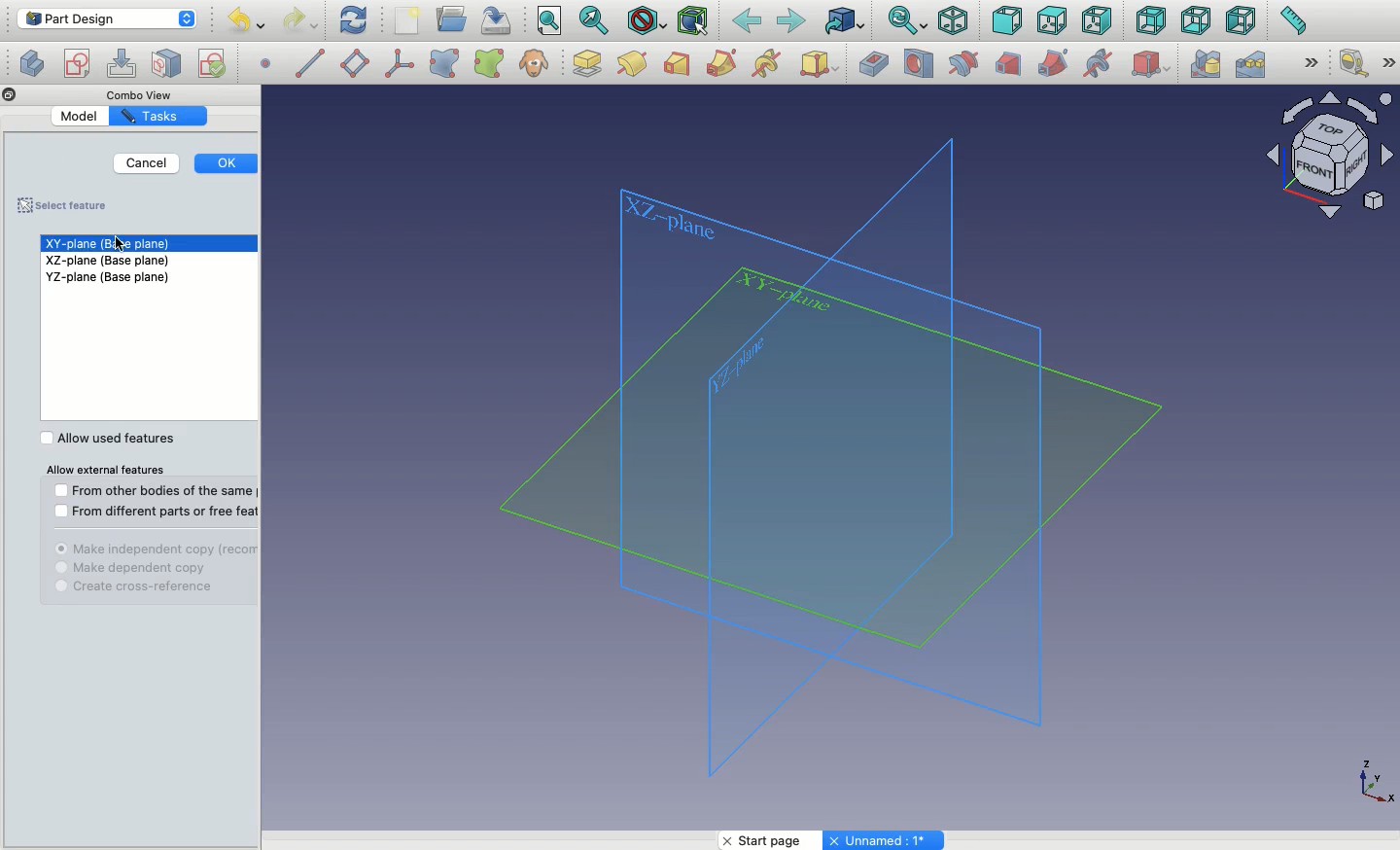 This screenshot has height=850, width=1400. I want to click on Datum point, so click(266, 61).